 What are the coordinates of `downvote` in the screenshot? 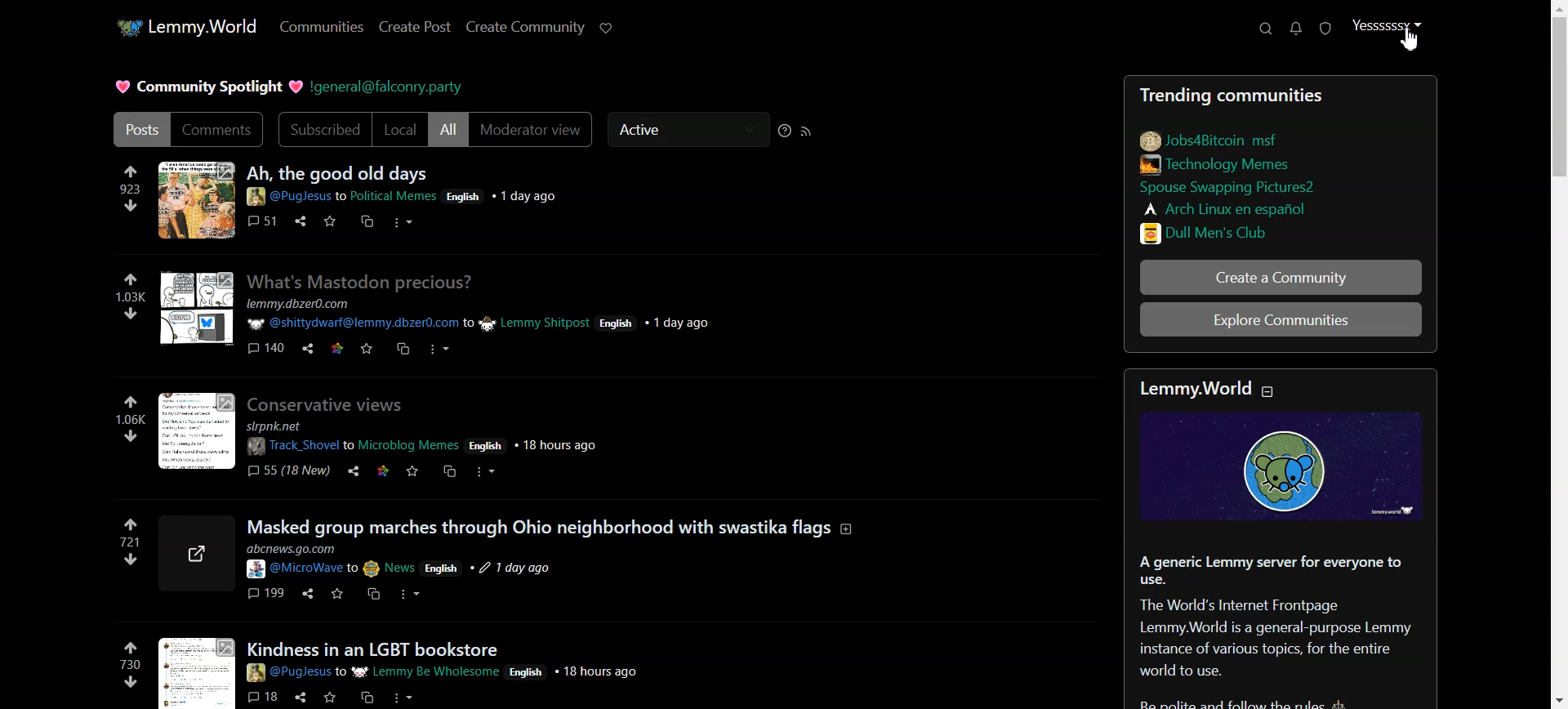 It's located at (129, 560).